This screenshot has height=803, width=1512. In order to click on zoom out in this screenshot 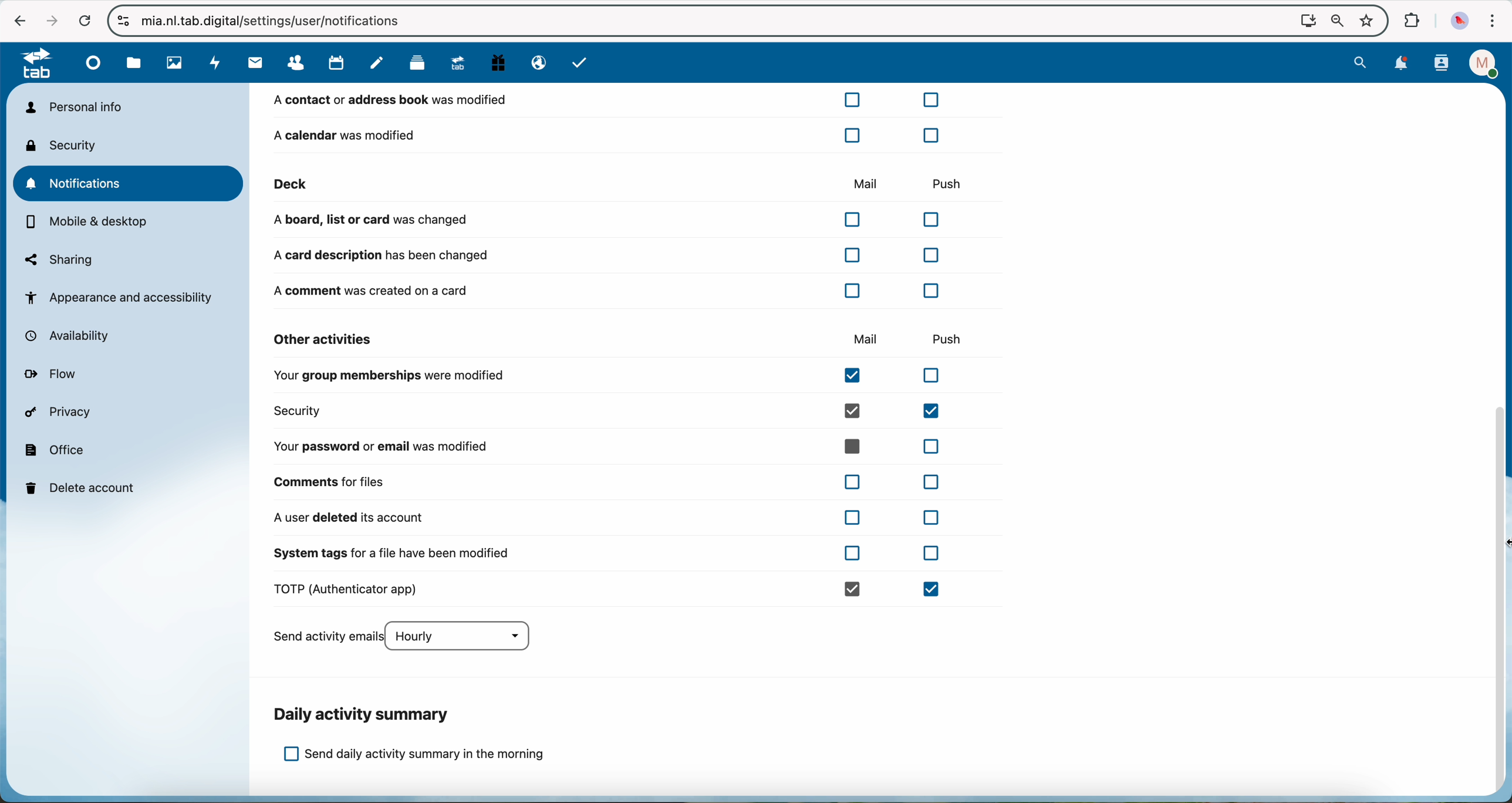, I will do `click(1334, 21)`.